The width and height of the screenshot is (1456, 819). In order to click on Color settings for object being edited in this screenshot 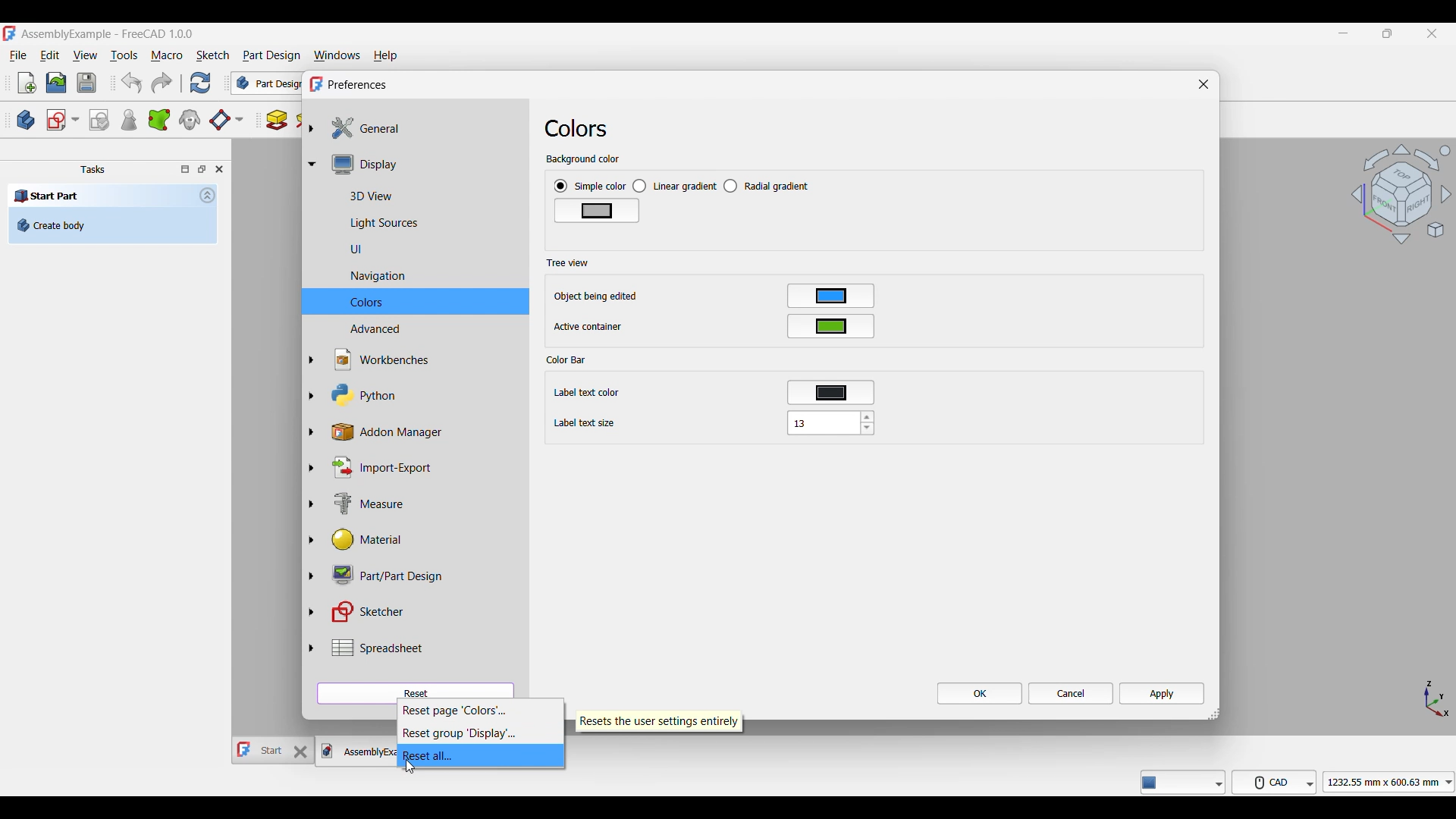, I will do `click(830, 296)`.